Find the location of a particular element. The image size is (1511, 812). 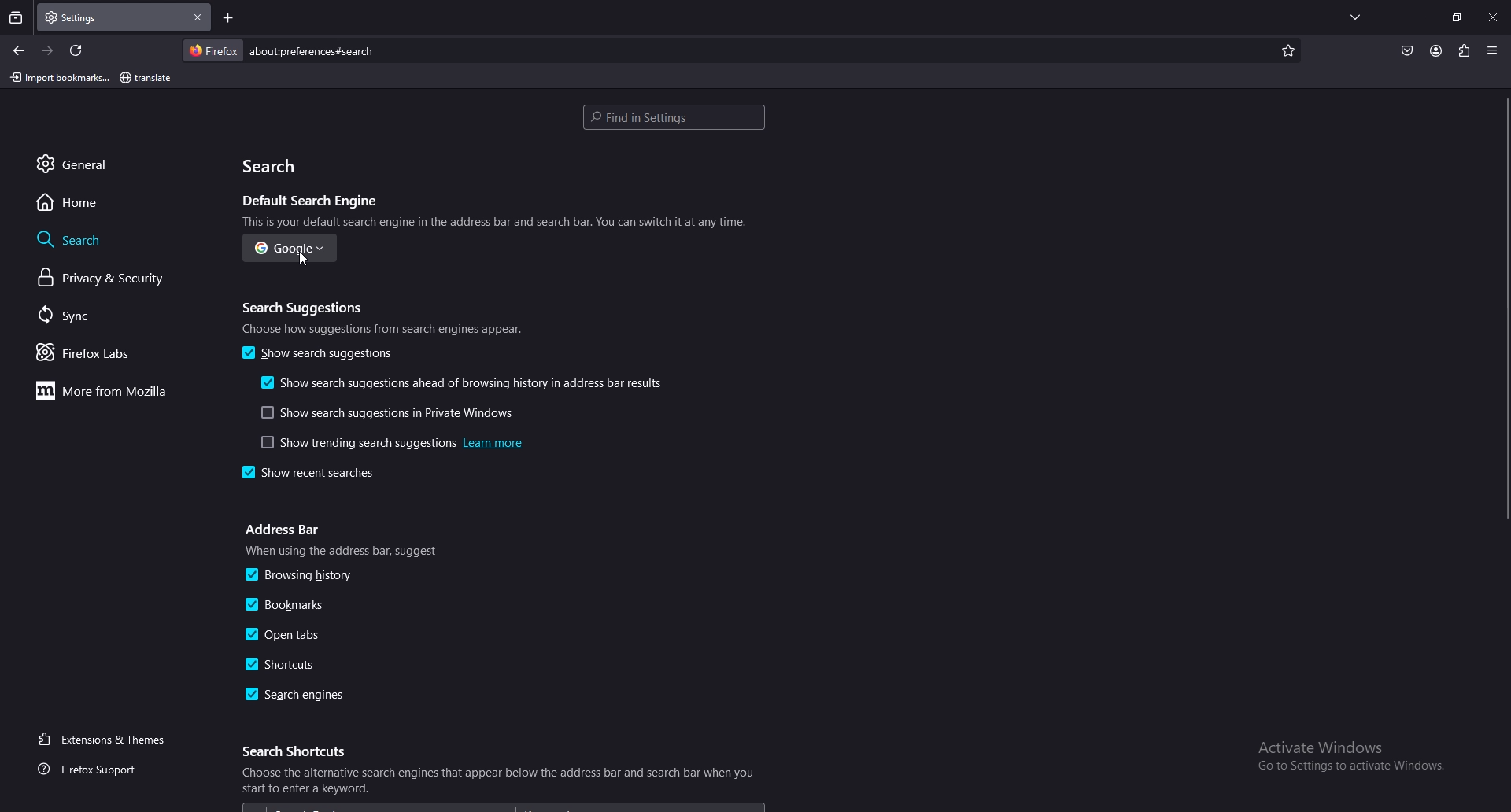

options is located at coordinates (1494, 49).